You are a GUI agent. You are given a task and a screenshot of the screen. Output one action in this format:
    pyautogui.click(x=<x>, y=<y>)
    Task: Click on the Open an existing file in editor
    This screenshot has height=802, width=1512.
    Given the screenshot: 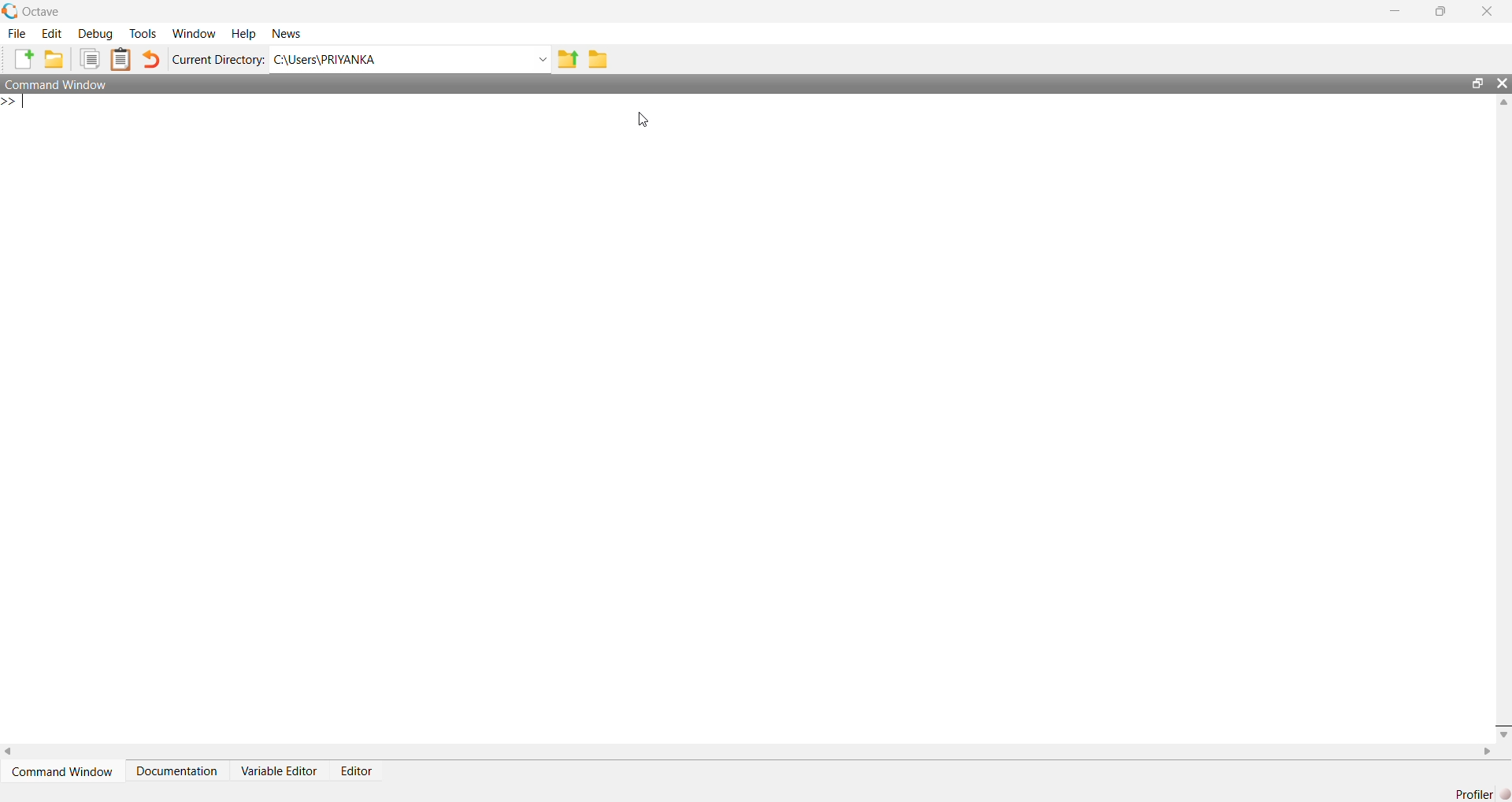 What is the action you would take?
    pyautogui.click(x=54, y=58)
    